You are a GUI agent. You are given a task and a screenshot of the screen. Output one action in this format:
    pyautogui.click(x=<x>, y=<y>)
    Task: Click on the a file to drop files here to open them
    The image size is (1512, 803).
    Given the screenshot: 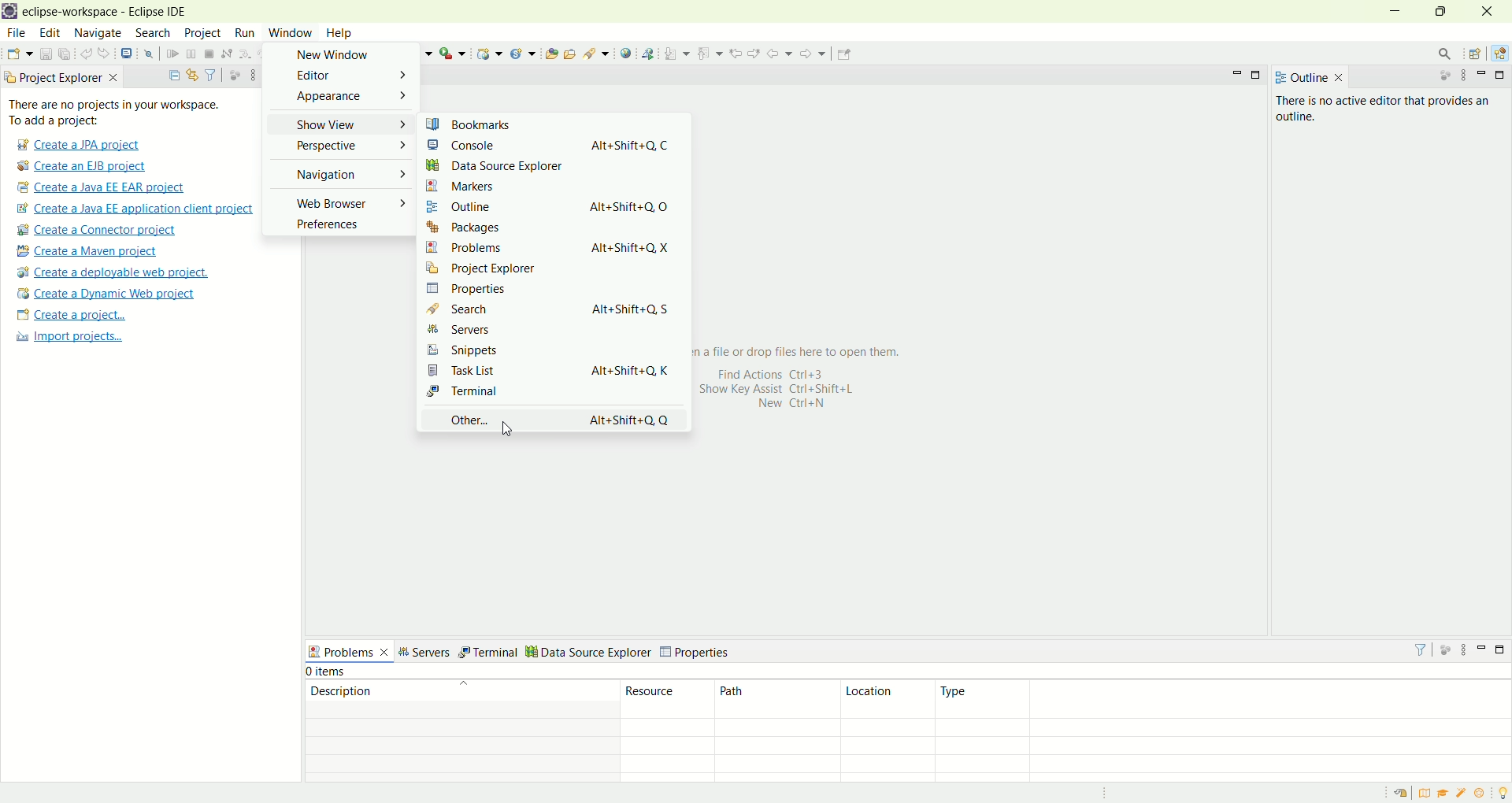 What is the action you would take?
    pyautogui.click(x=829, y=352)
    